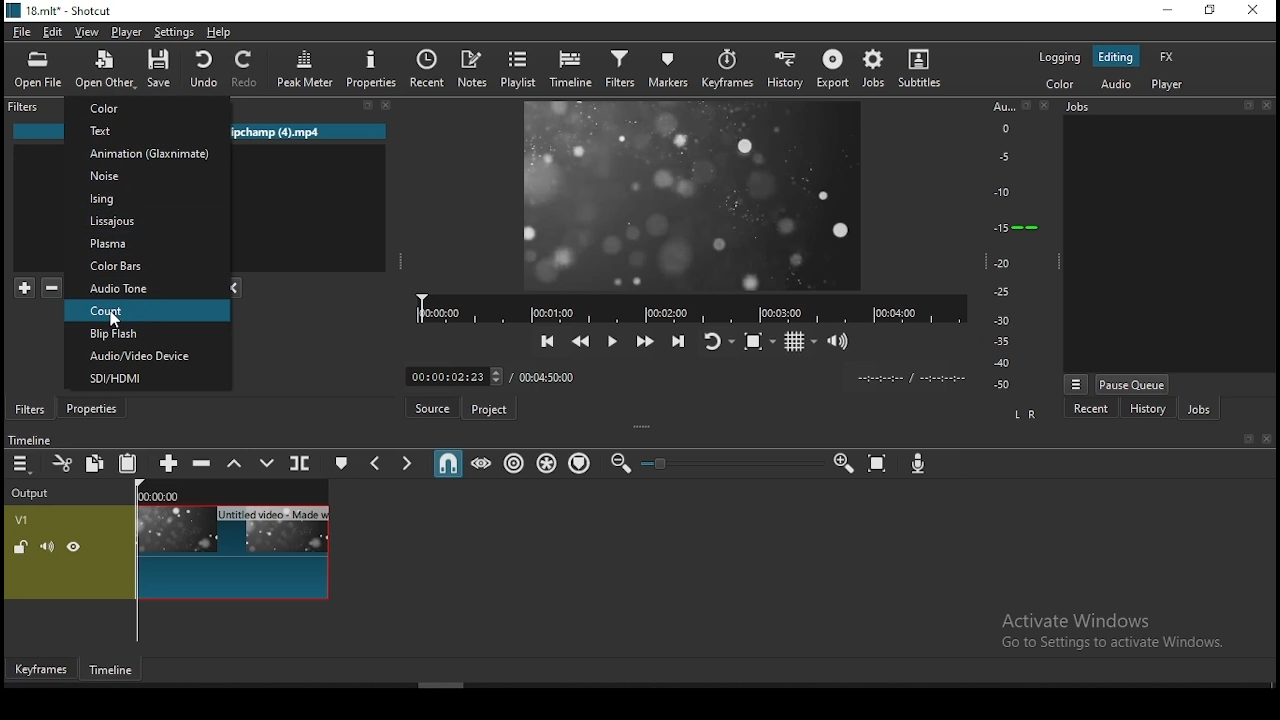 The width and height of the screenshot is (1280, 720). Describe the element at coordinates (877, 463) in the screenshot. I see `zoom timeline to fit` at that location.